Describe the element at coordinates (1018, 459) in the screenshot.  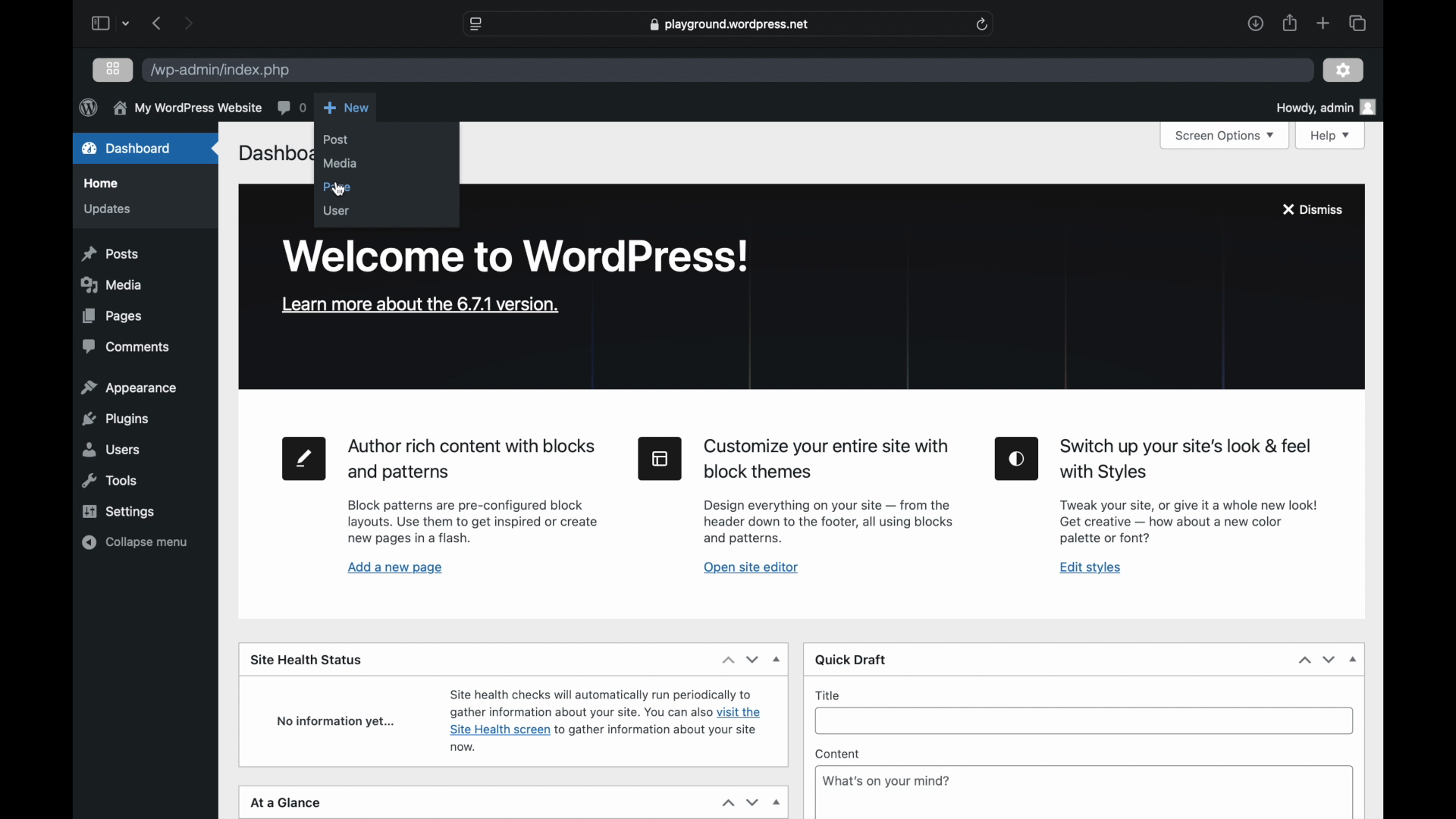
I see `icon` at that location.